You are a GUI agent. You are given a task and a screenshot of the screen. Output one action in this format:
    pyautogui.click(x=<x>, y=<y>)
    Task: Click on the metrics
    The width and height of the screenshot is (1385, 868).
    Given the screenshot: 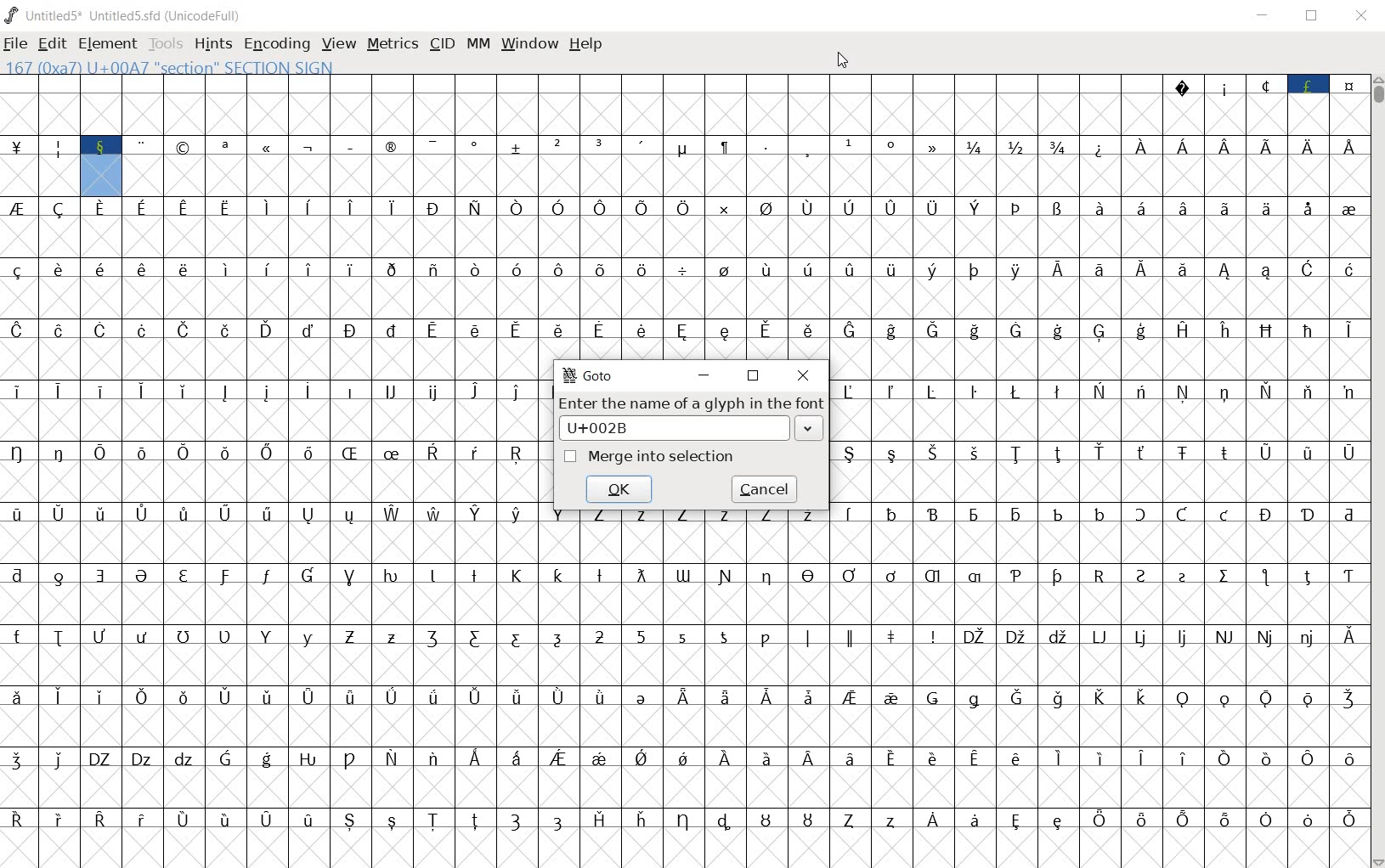 What is the action you would take?
    pyautogui.click(x=392, y=45)
    